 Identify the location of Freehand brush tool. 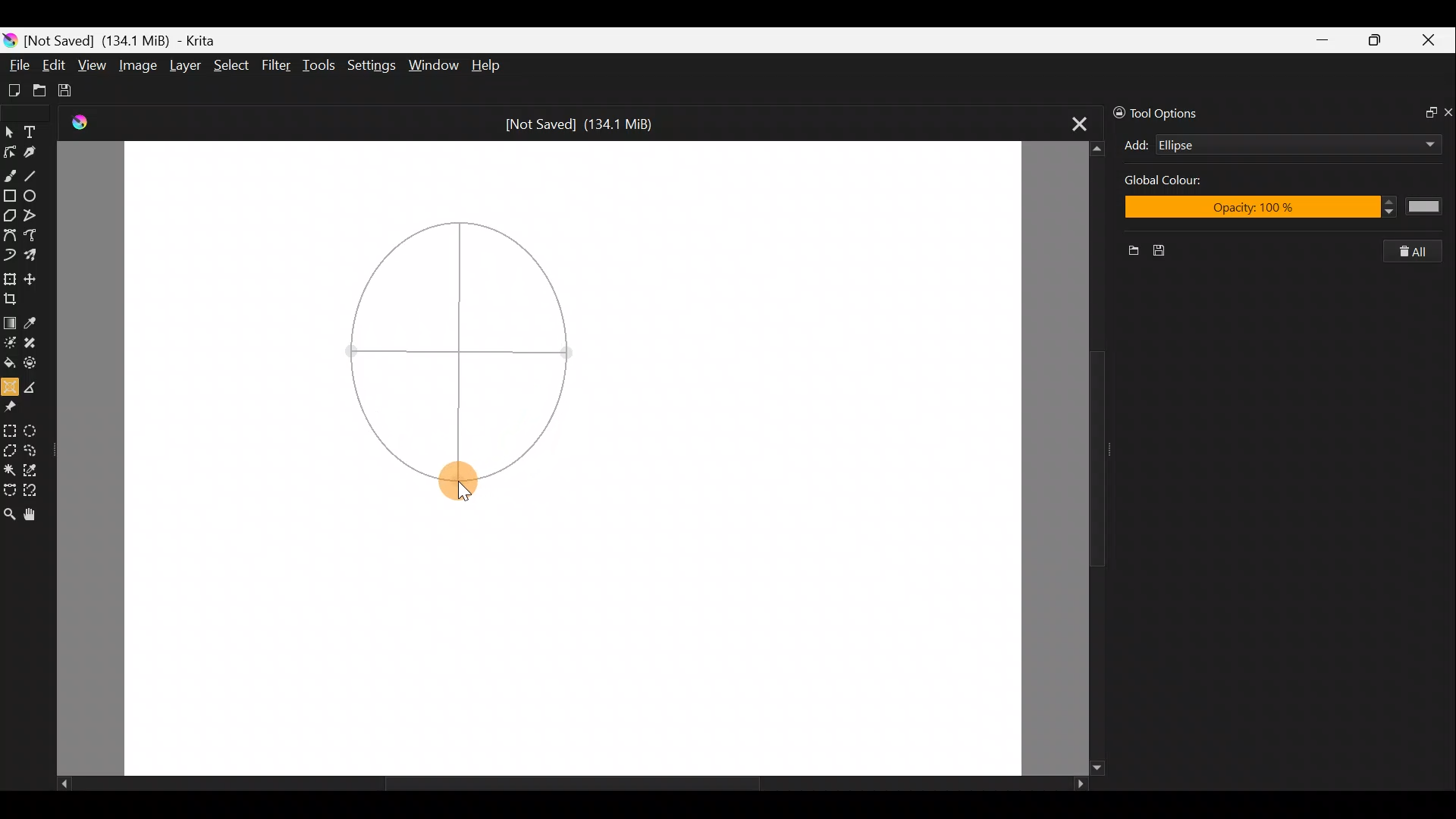
(11, 174).